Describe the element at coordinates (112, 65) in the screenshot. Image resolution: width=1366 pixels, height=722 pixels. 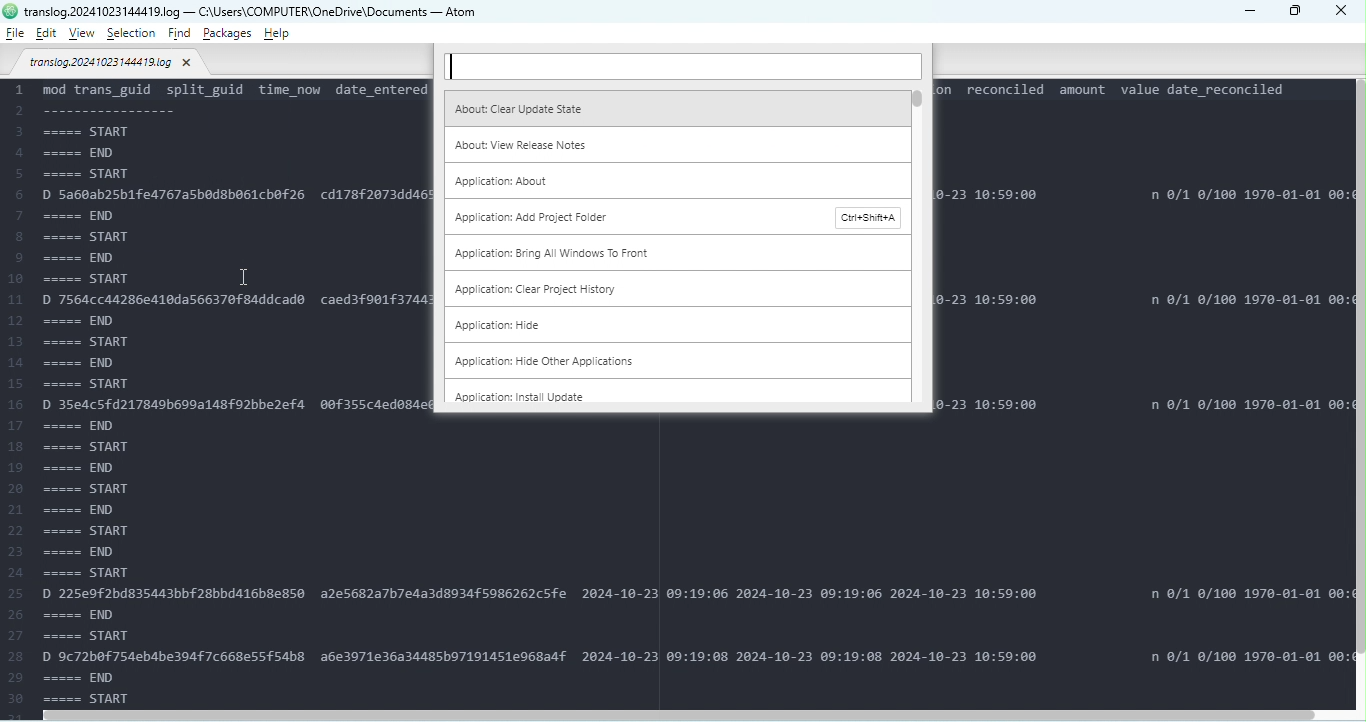
I see `File ` at that location.